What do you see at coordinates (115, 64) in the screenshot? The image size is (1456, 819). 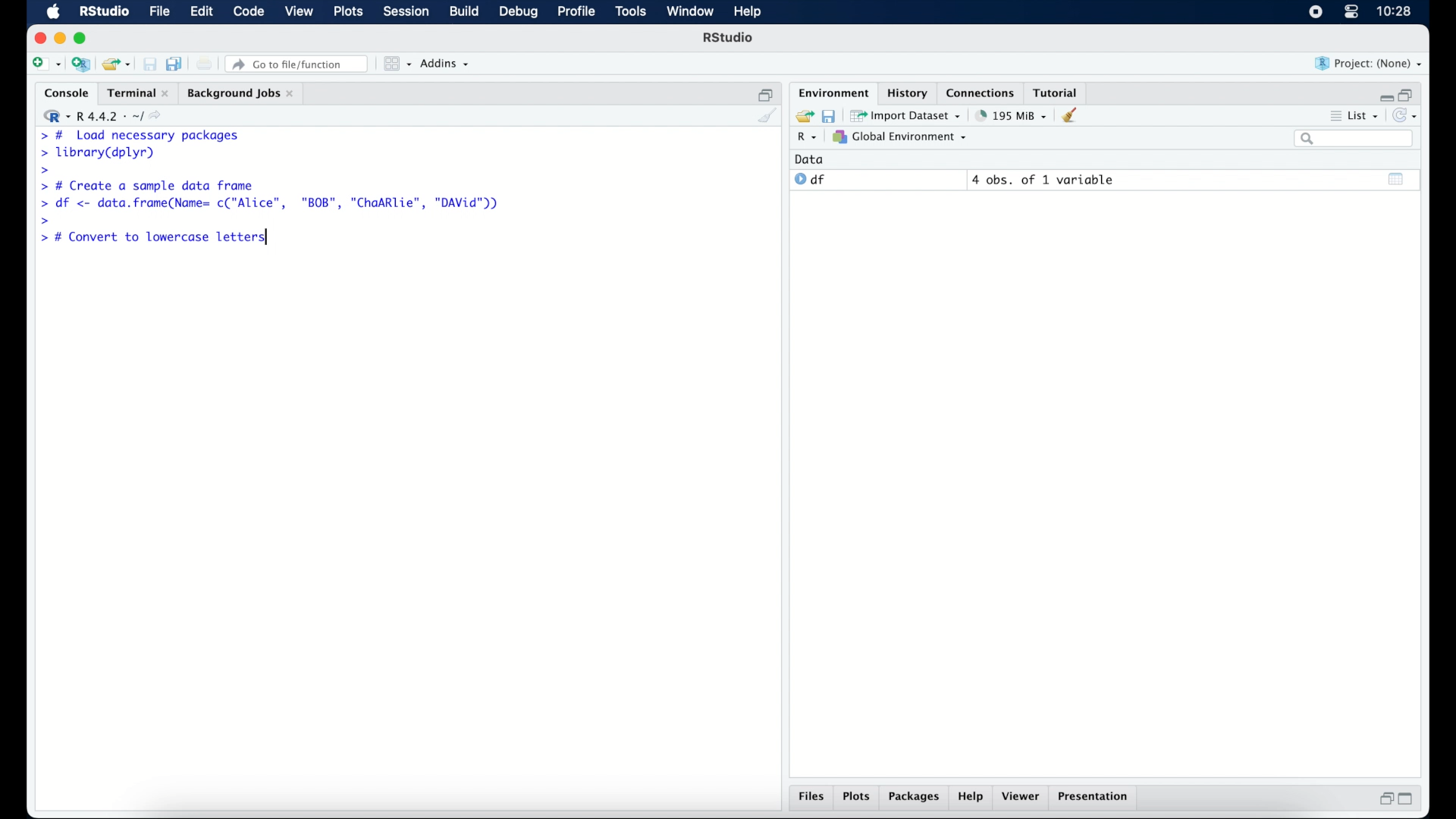 I see `load existing project` at bounding box center [115, 64].